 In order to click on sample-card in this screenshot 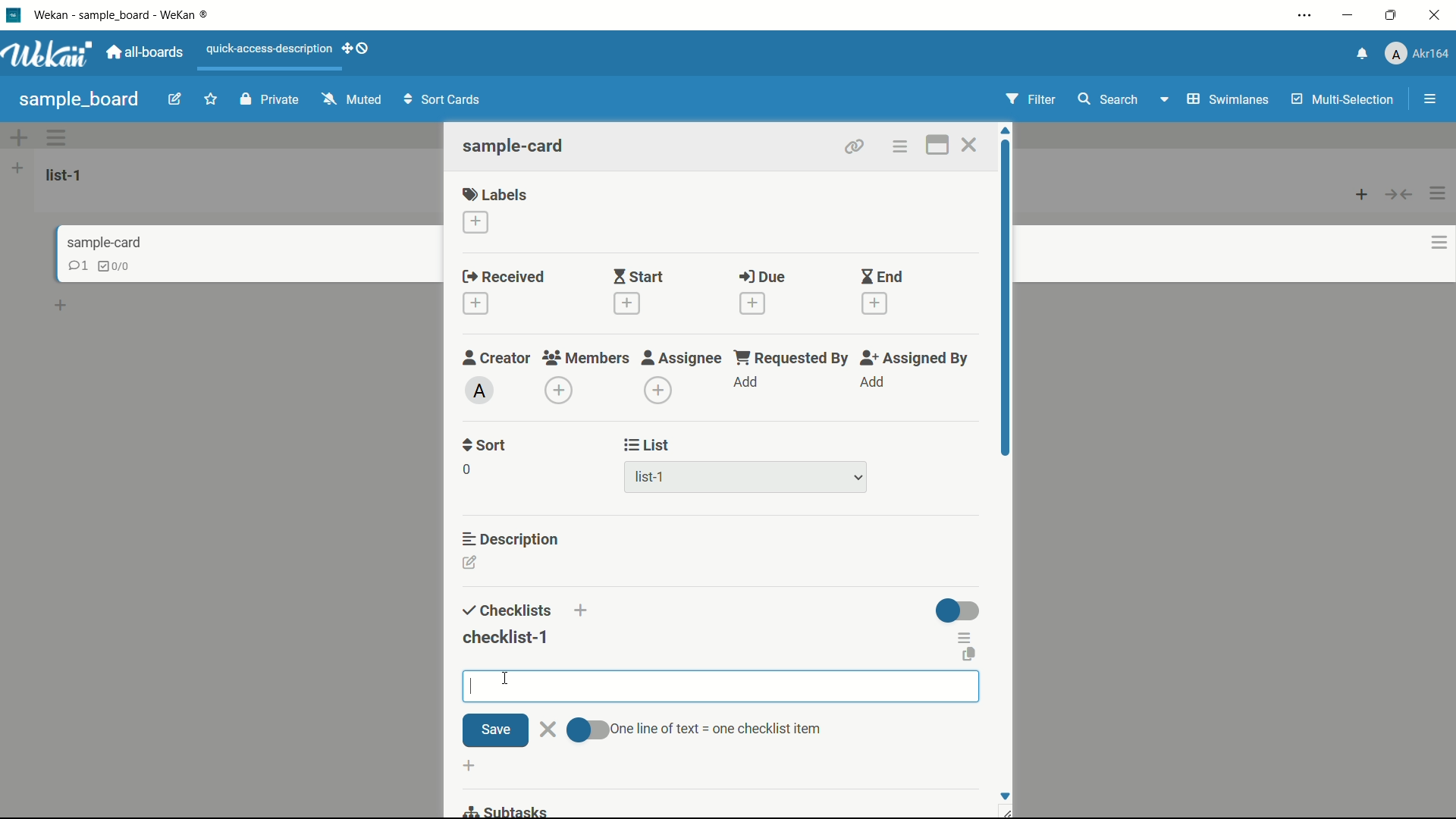, I will do `click(515, 146)`.